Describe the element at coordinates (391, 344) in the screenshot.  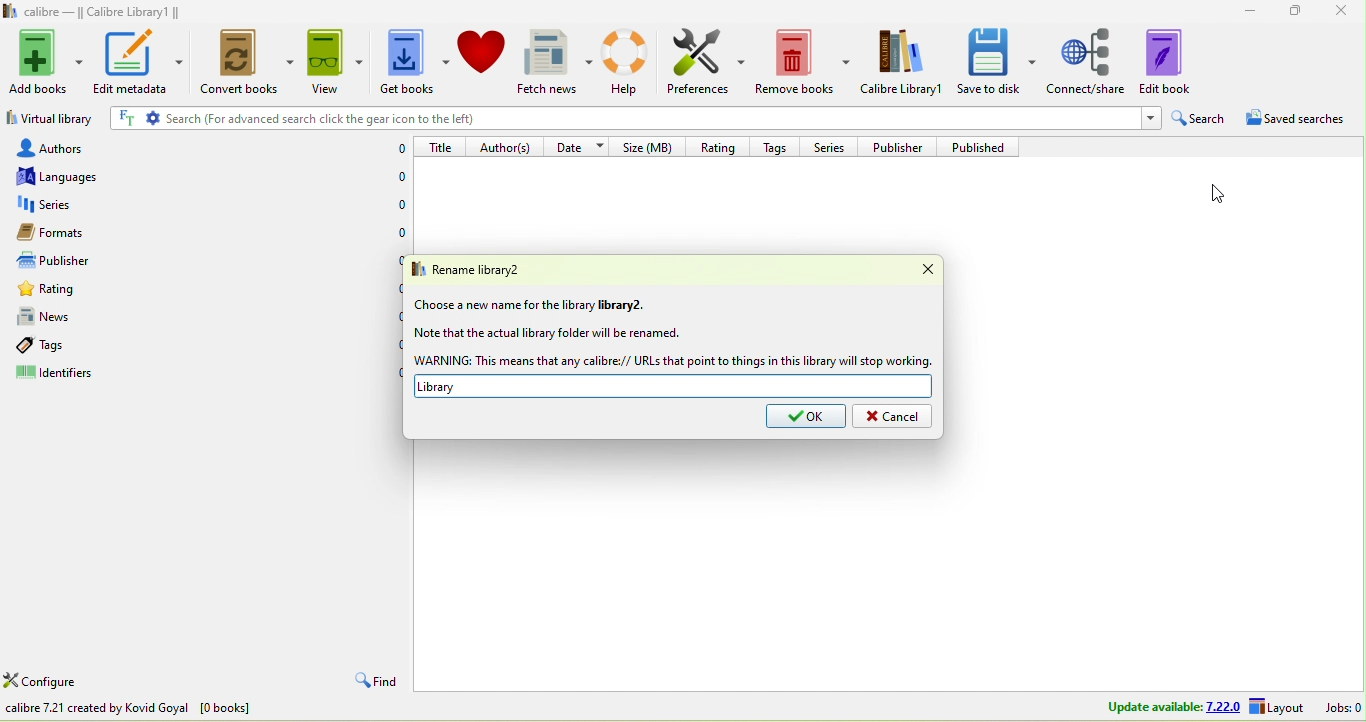
I see `0` at that location.